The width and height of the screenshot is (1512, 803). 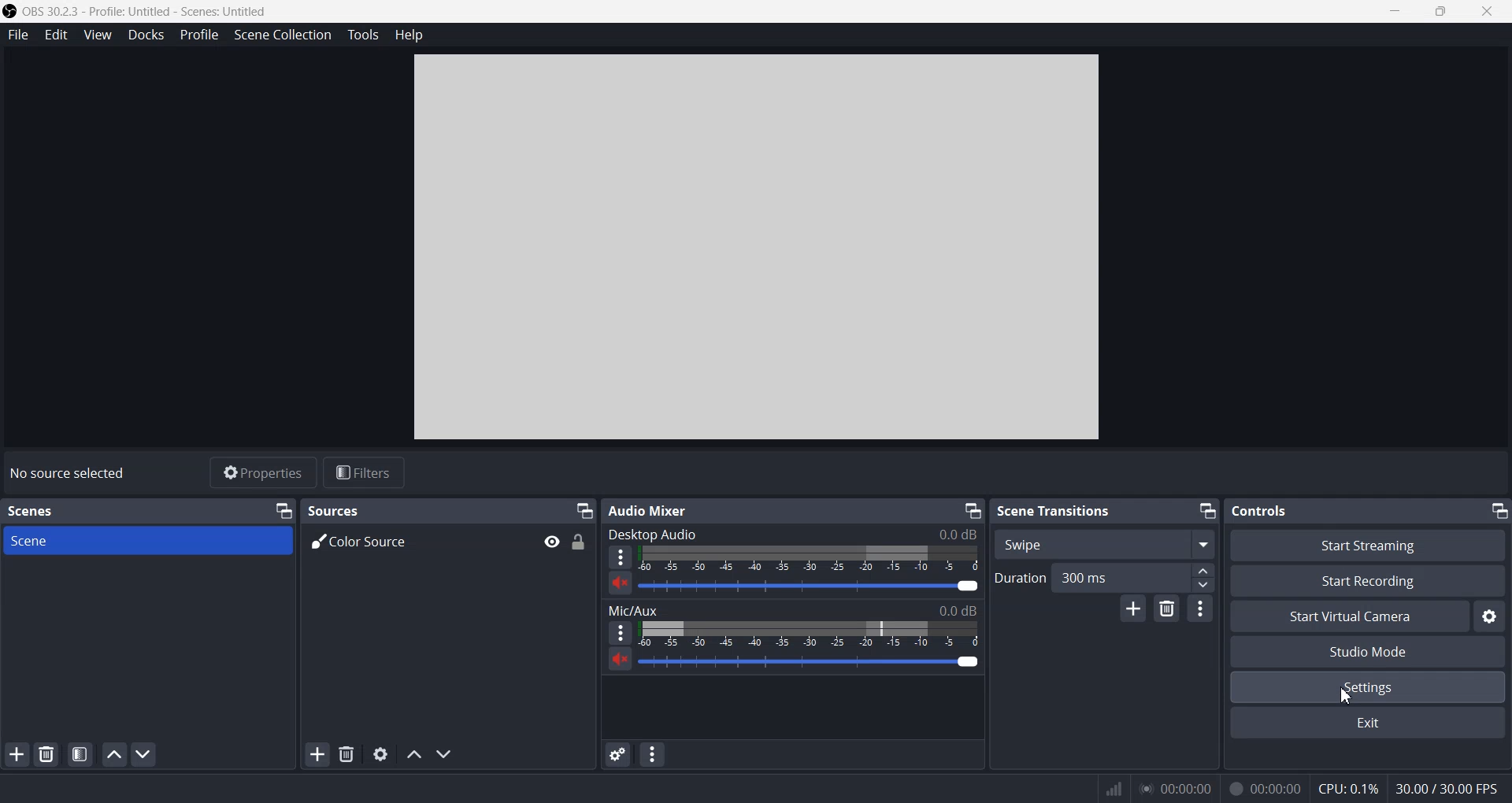 I want to click on Settings, so click(x=1490, y=616).